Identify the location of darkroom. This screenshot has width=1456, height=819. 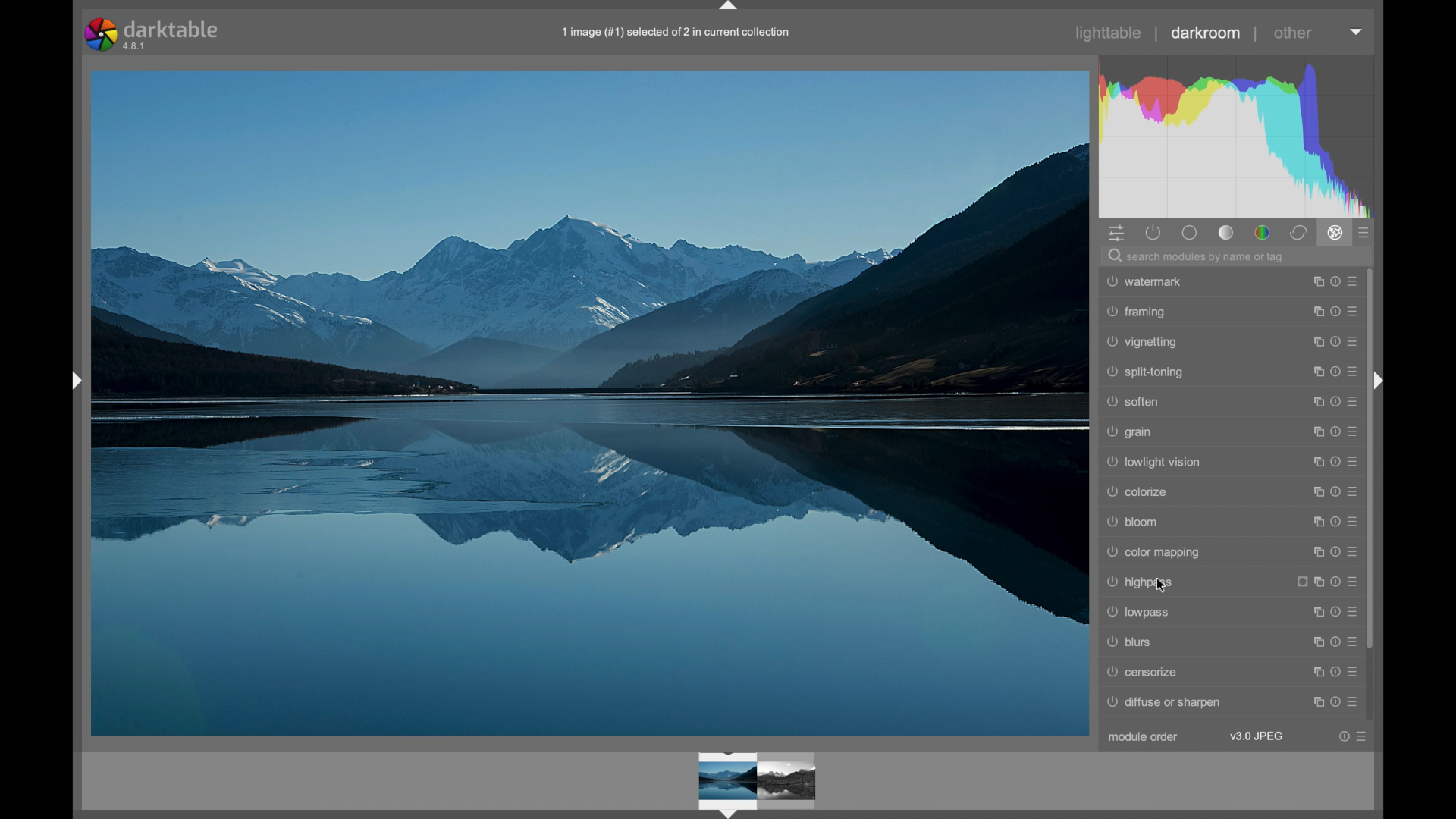
(1206, 33).